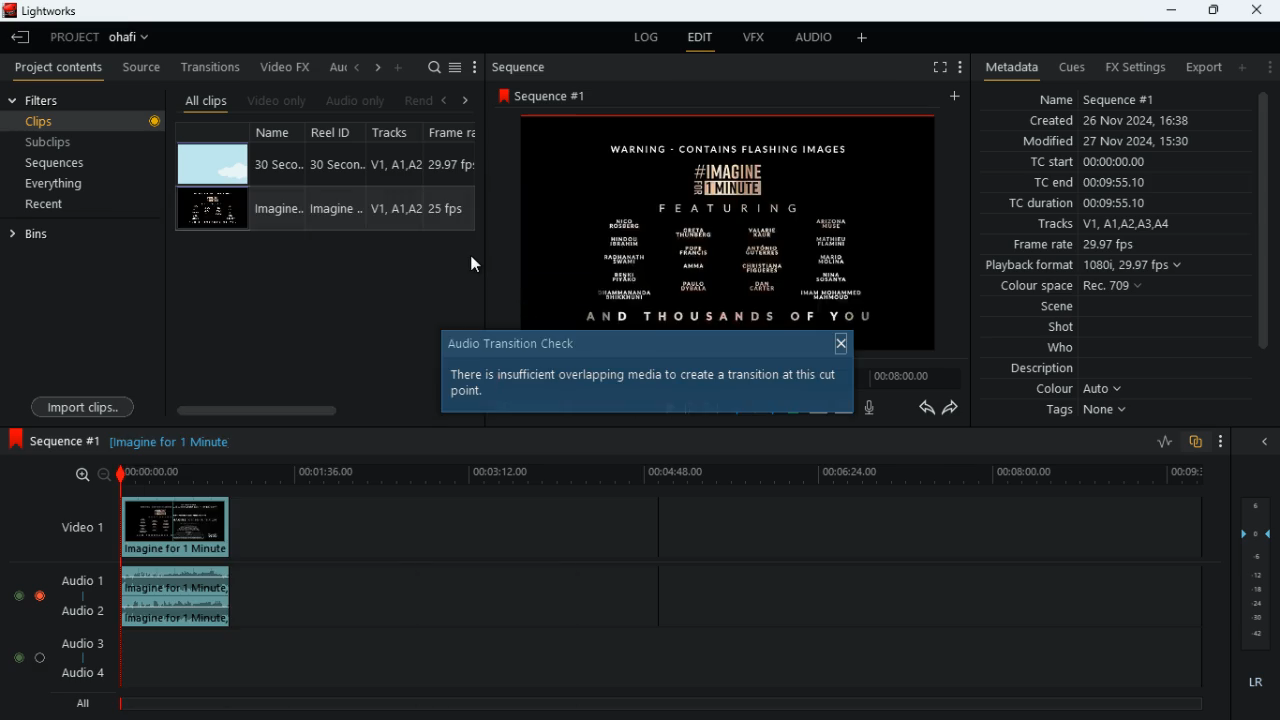 The width and height of the screenshot is (1280, 720). Describe the element at coordinates (871, 407) in the screenshot. I see `mic` at that location.